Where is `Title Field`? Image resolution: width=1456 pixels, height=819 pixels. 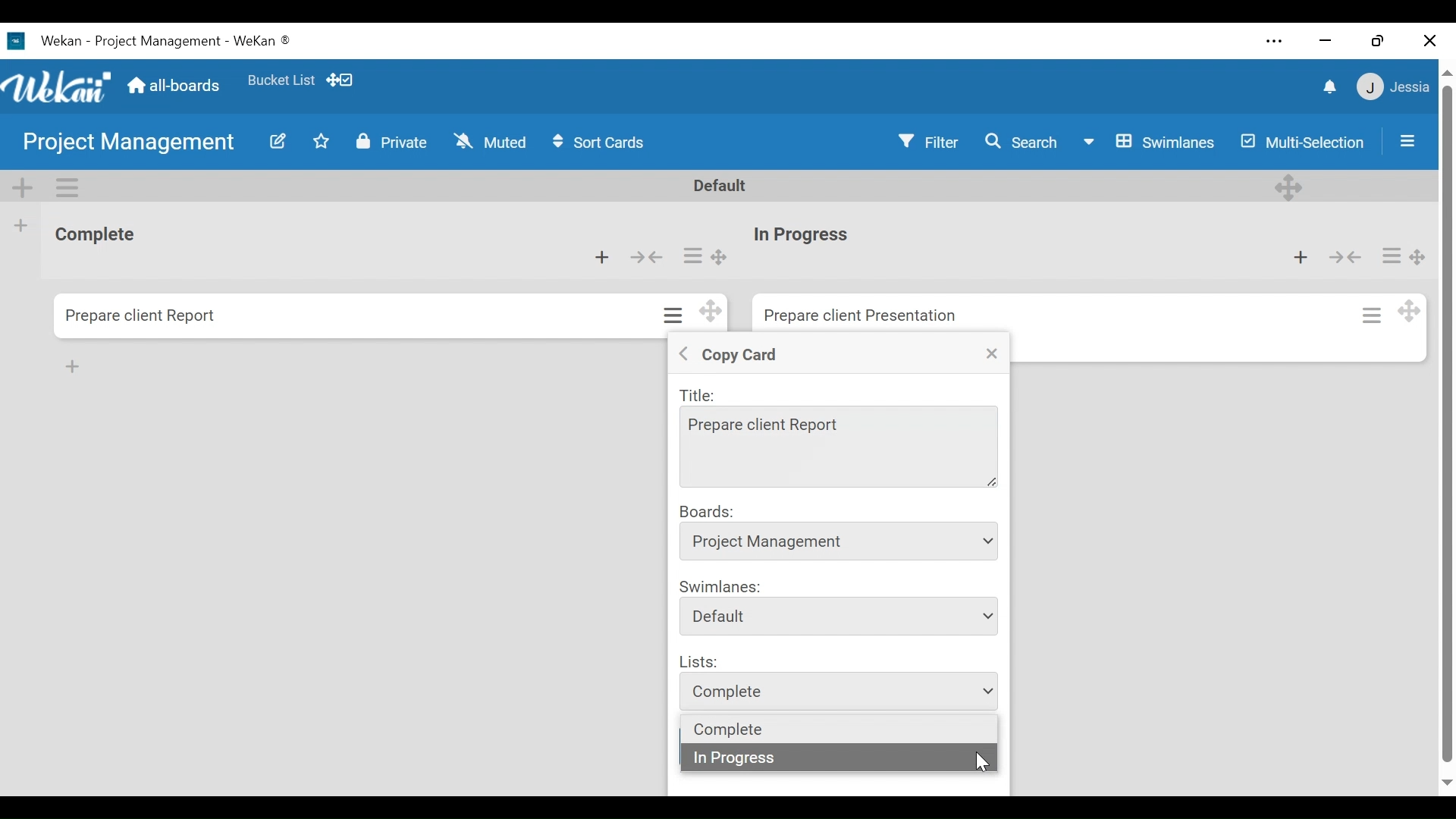
Title Field is located at coordinates (839, 447).